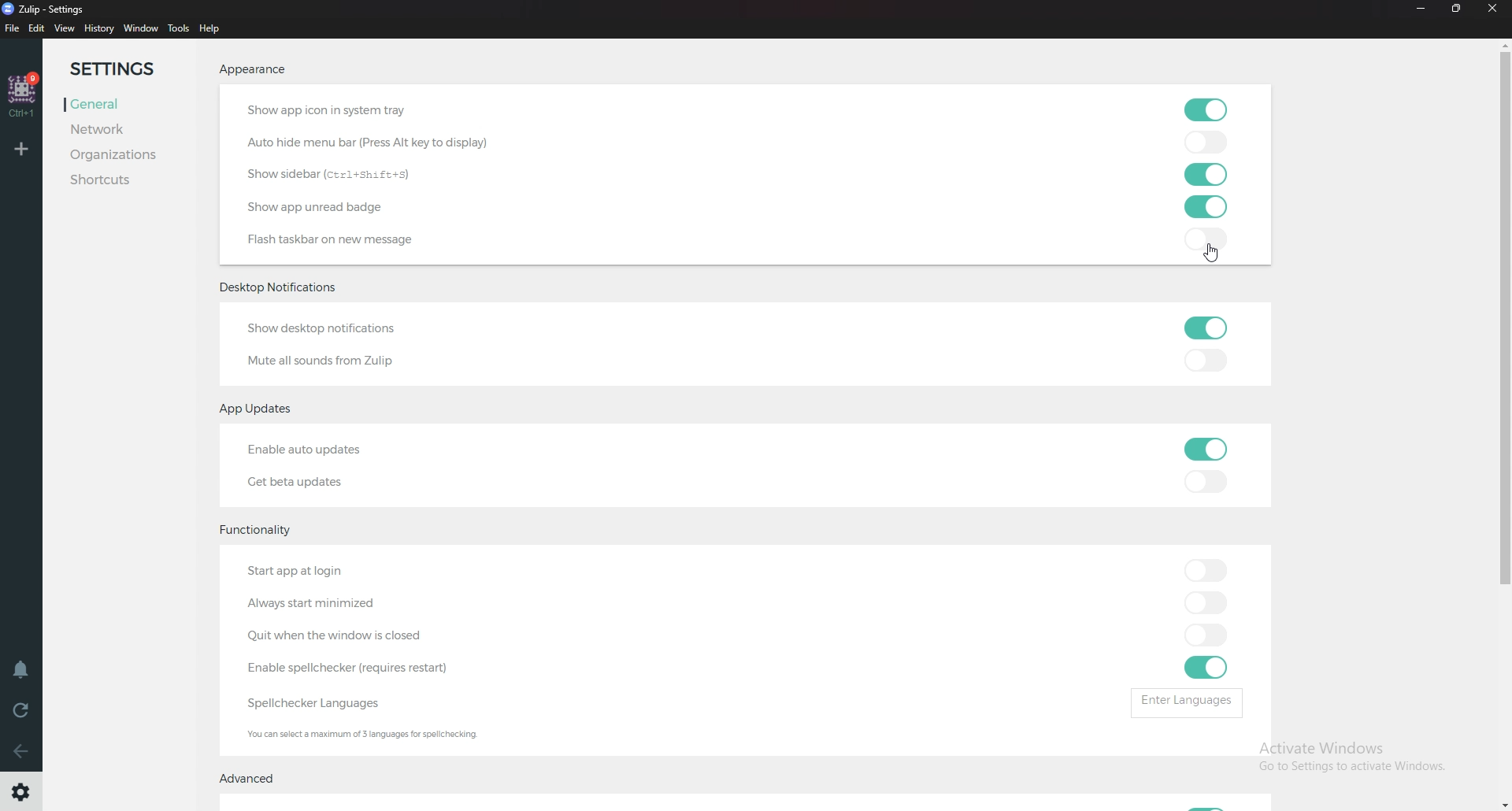  I want to click on Desktop notifications, so click(283, 288).